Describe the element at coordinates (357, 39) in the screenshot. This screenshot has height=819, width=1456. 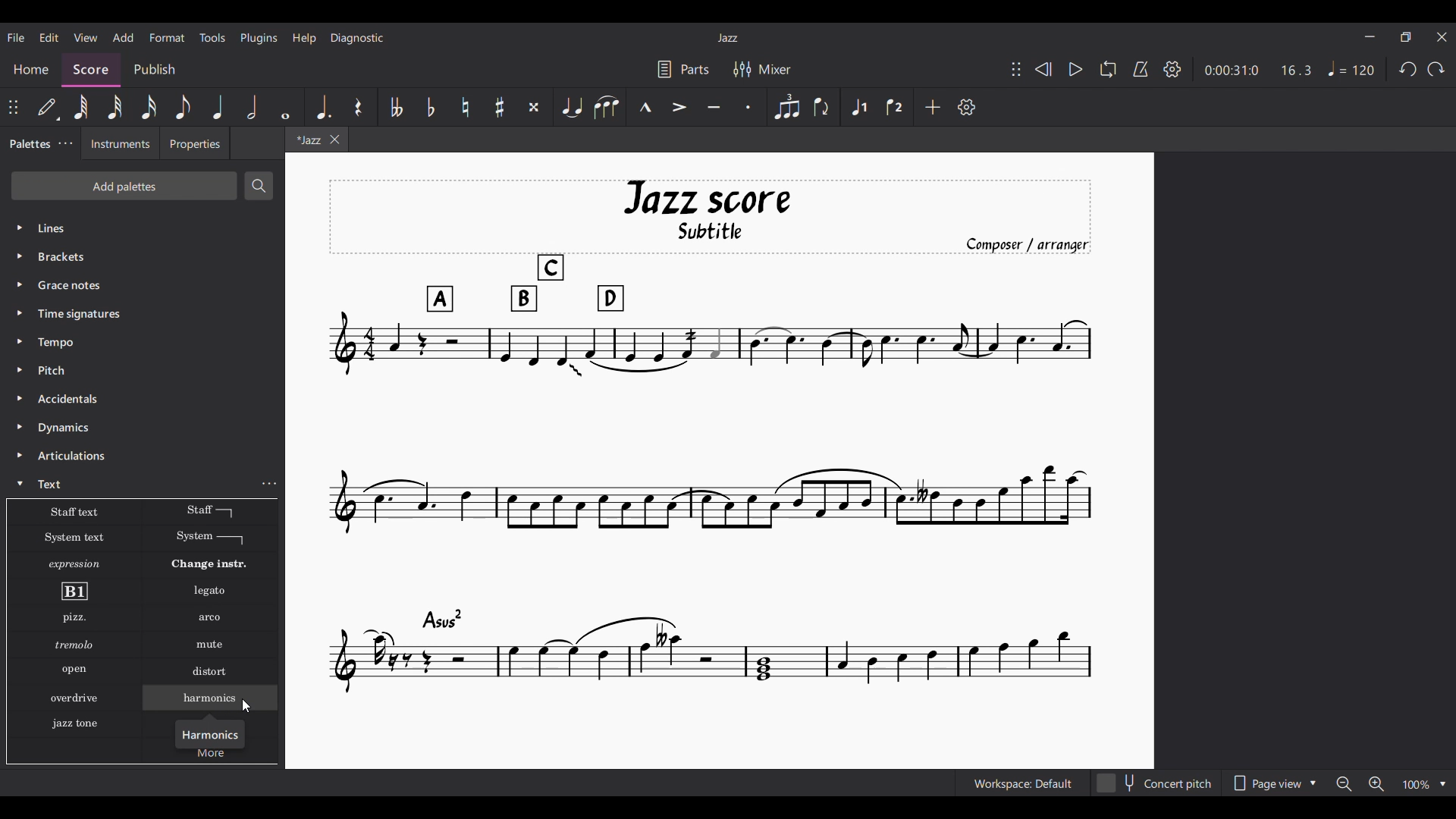
I see `Diagnostic menu` at that location.